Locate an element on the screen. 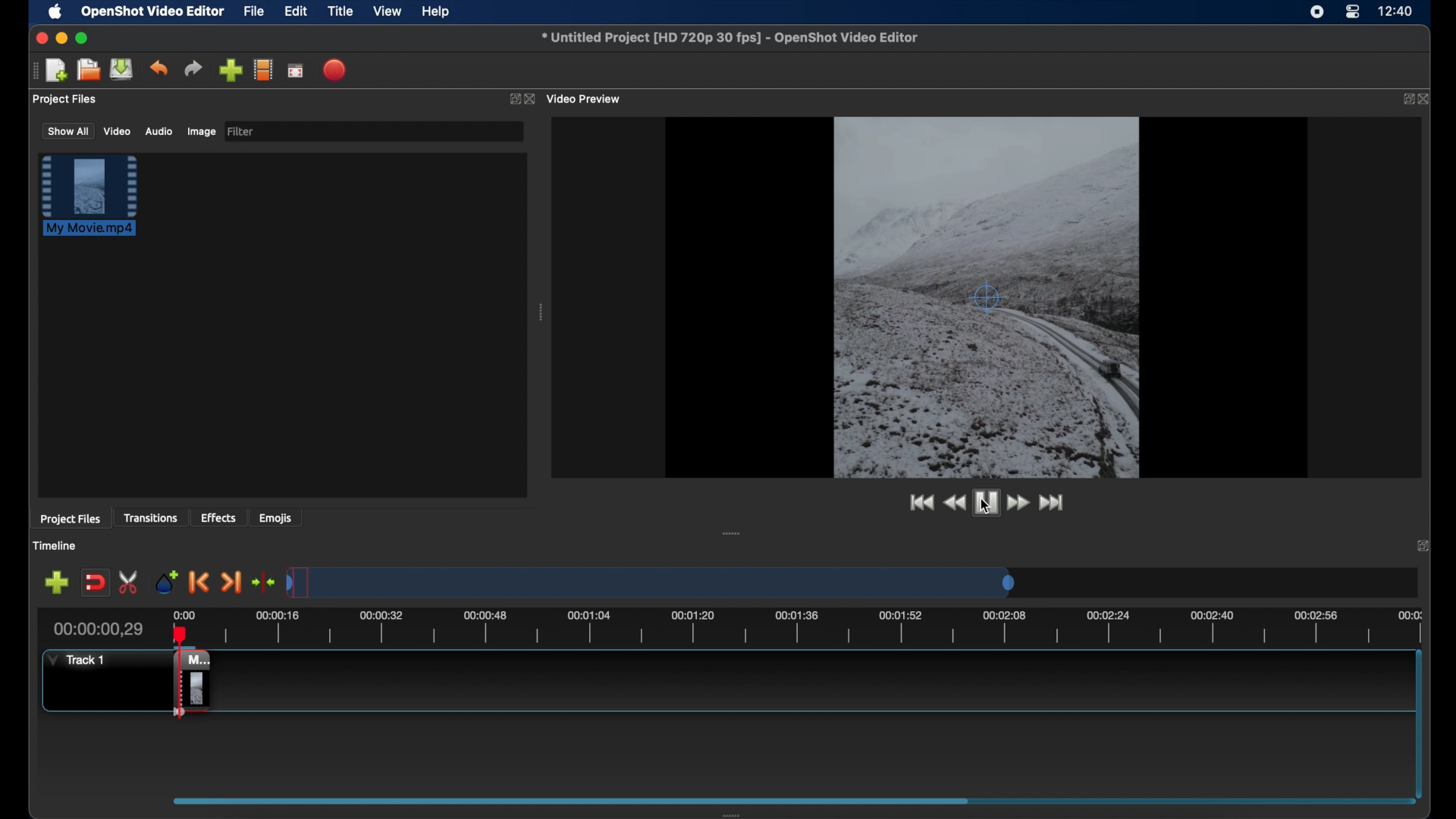 This screenshot has width=1456, height=819. expand is located at coordinates (511, 101).